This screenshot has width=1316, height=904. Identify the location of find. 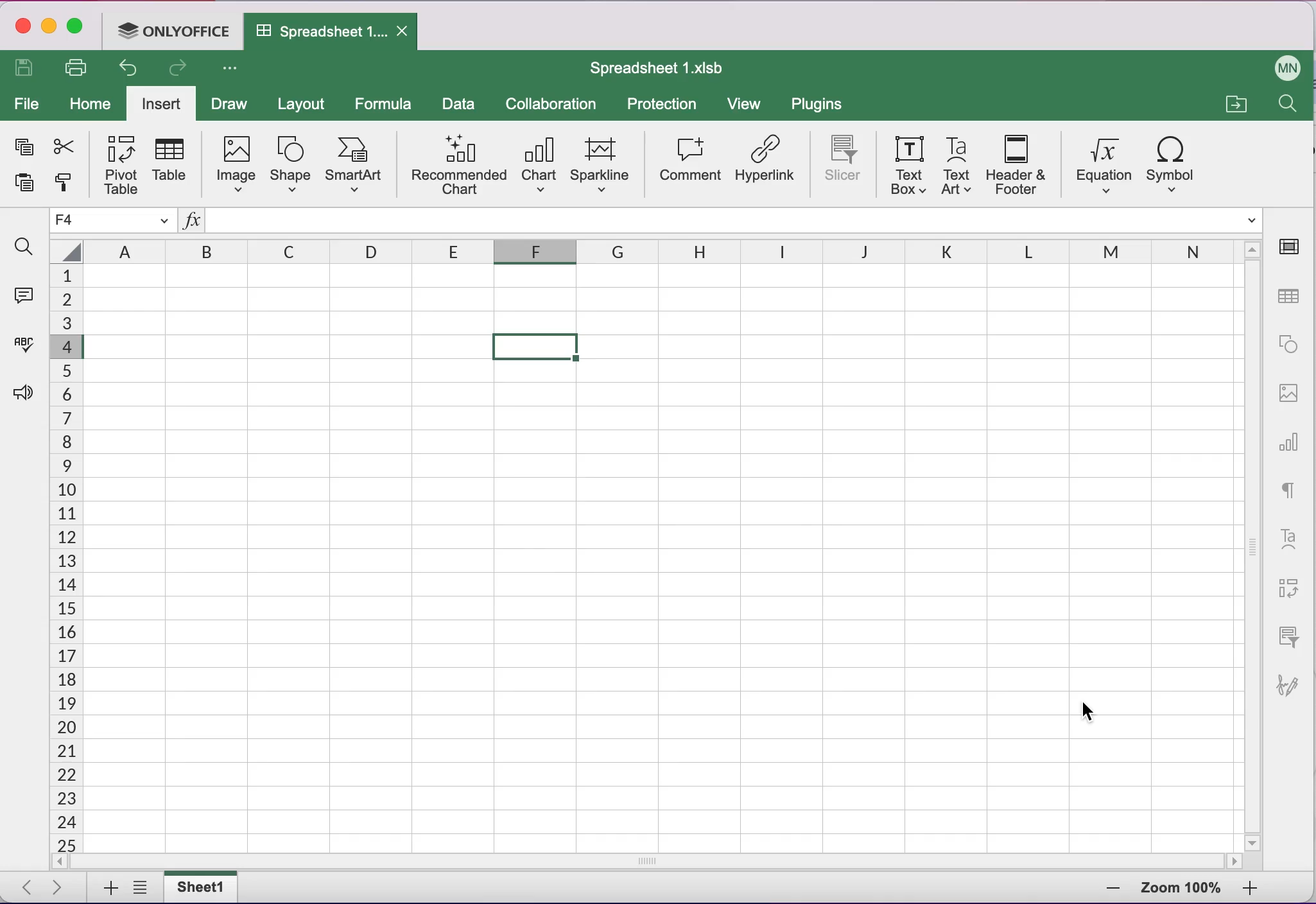
(1290, 108).